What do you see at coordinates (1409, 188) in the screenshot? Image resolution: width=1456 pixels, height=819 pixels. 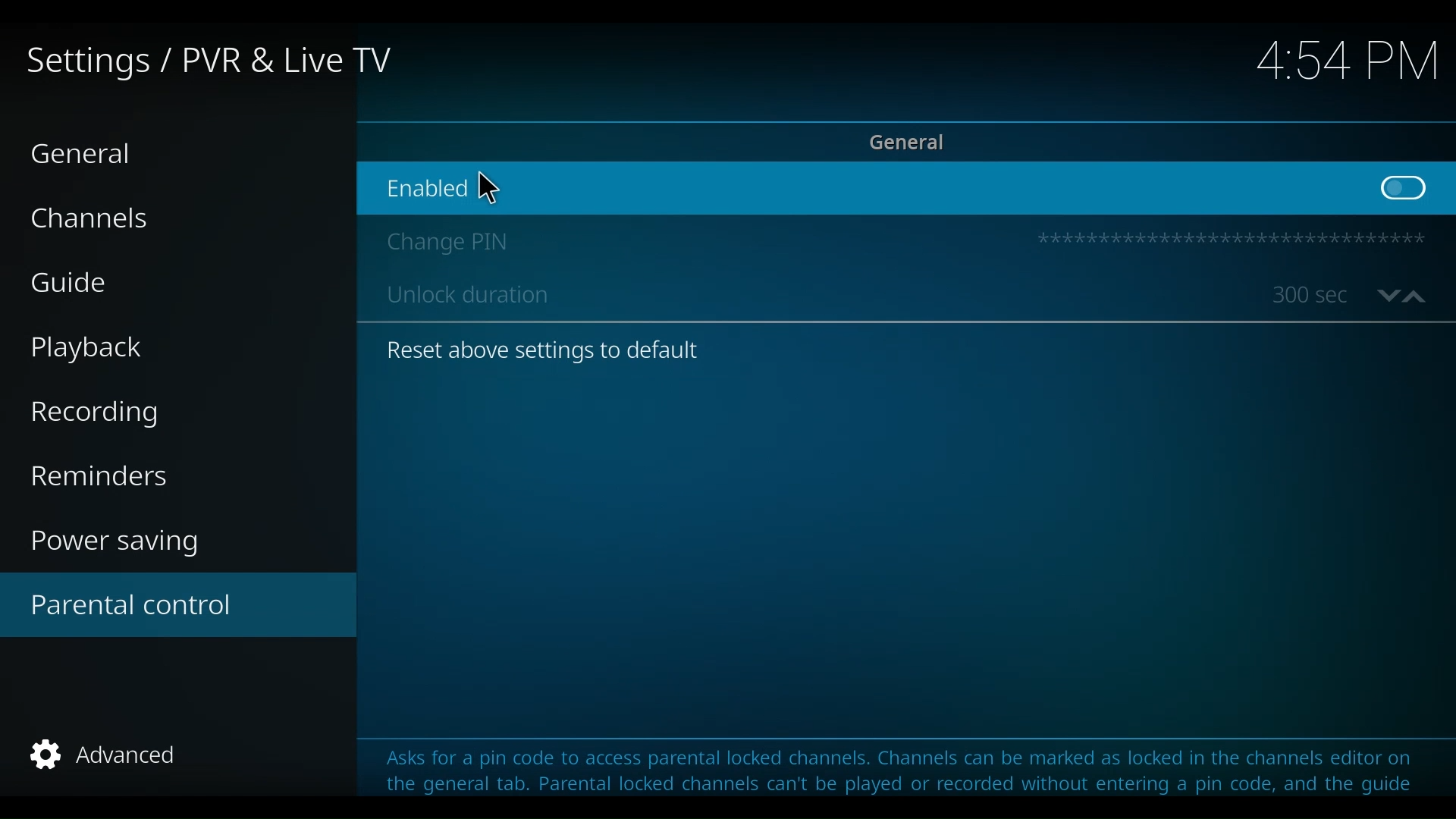 I see `Toggle on/off` at bounding box center [1409, 188].